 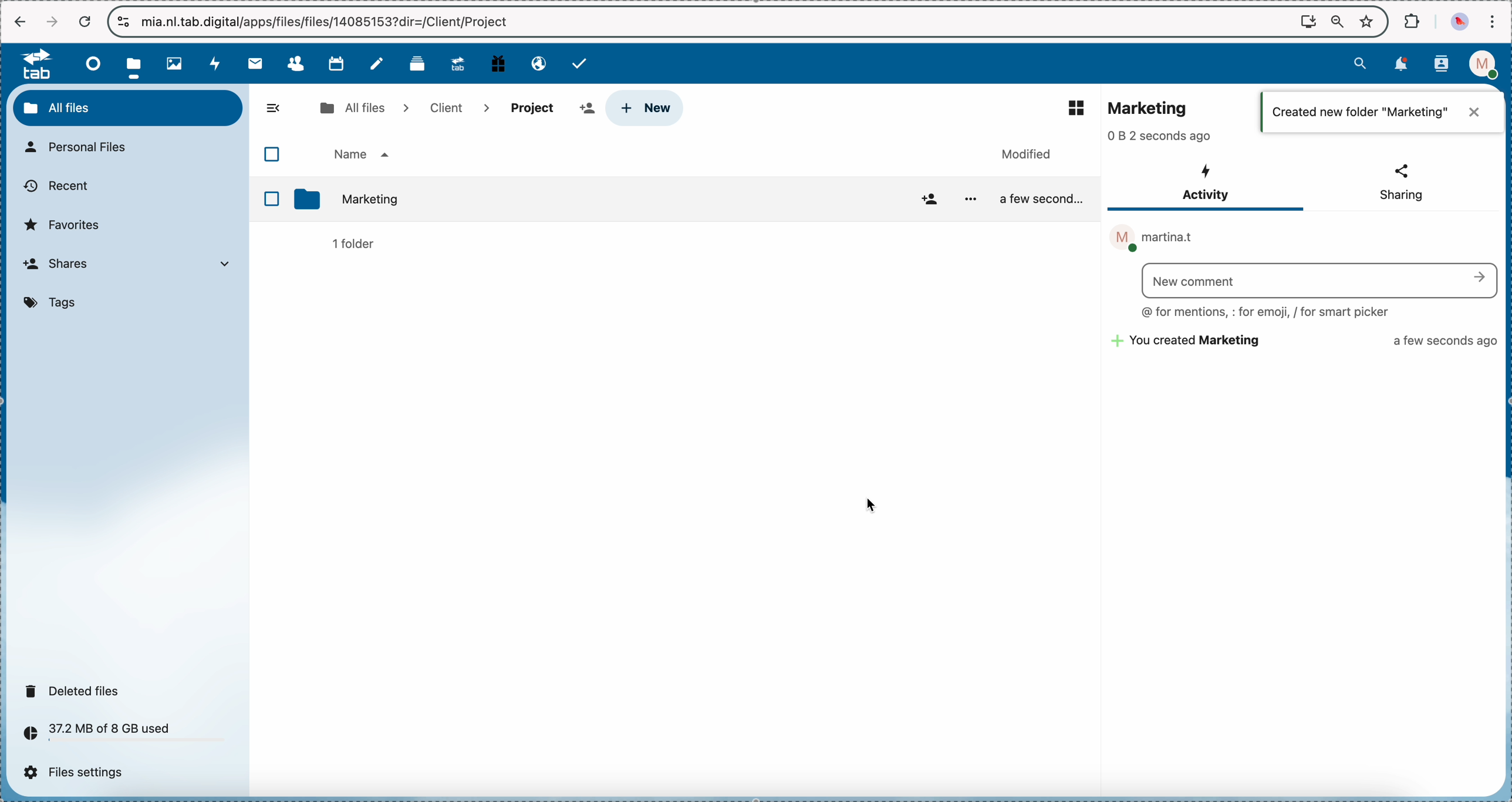 What do you see at coordinates (971, 199) in the screenshot?
I see `more options` at bounding box center [971, 199].